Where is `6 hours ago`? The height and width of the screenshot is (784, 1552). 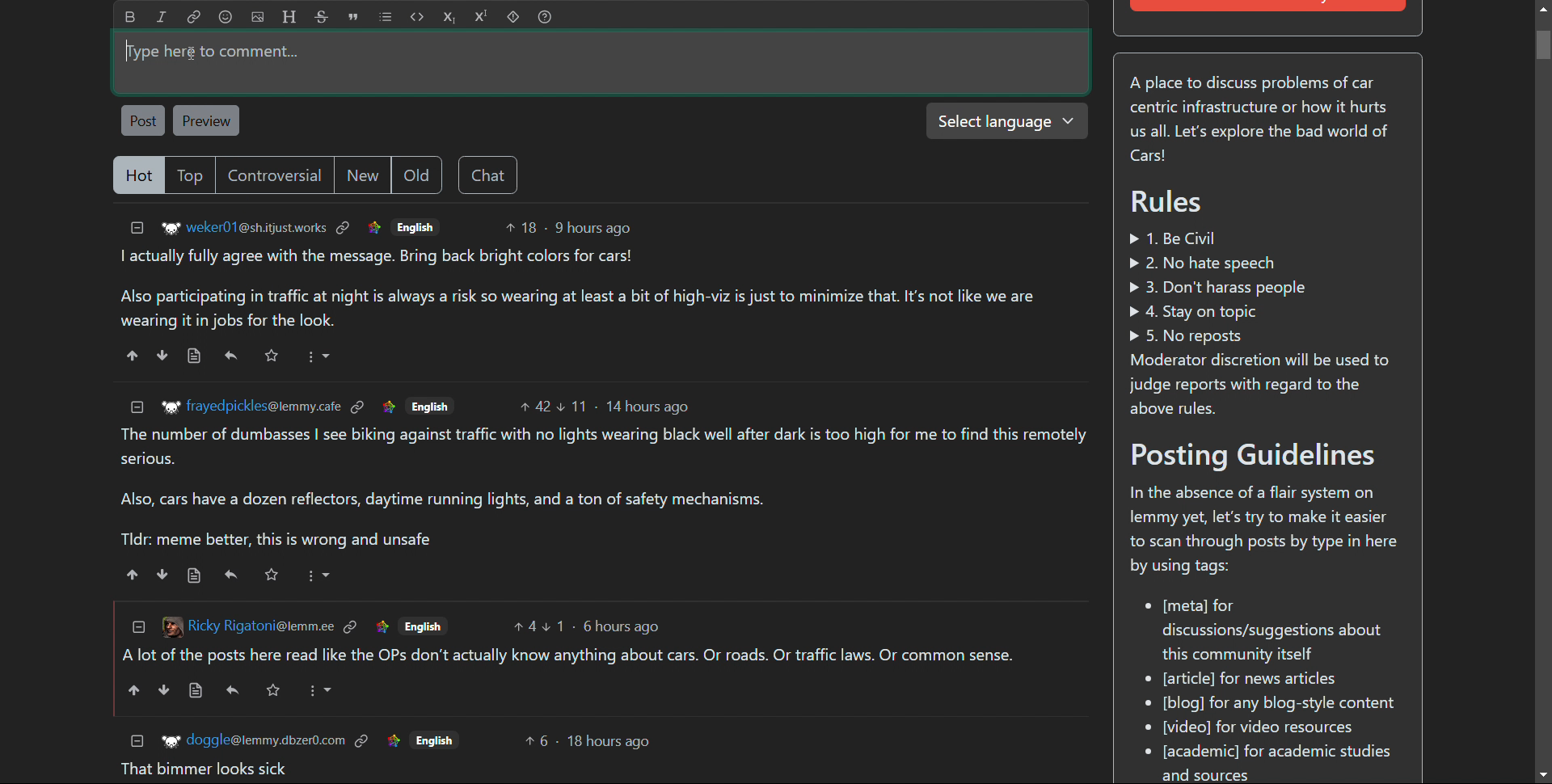
6 hours ago is located at coordinates (623, 626).